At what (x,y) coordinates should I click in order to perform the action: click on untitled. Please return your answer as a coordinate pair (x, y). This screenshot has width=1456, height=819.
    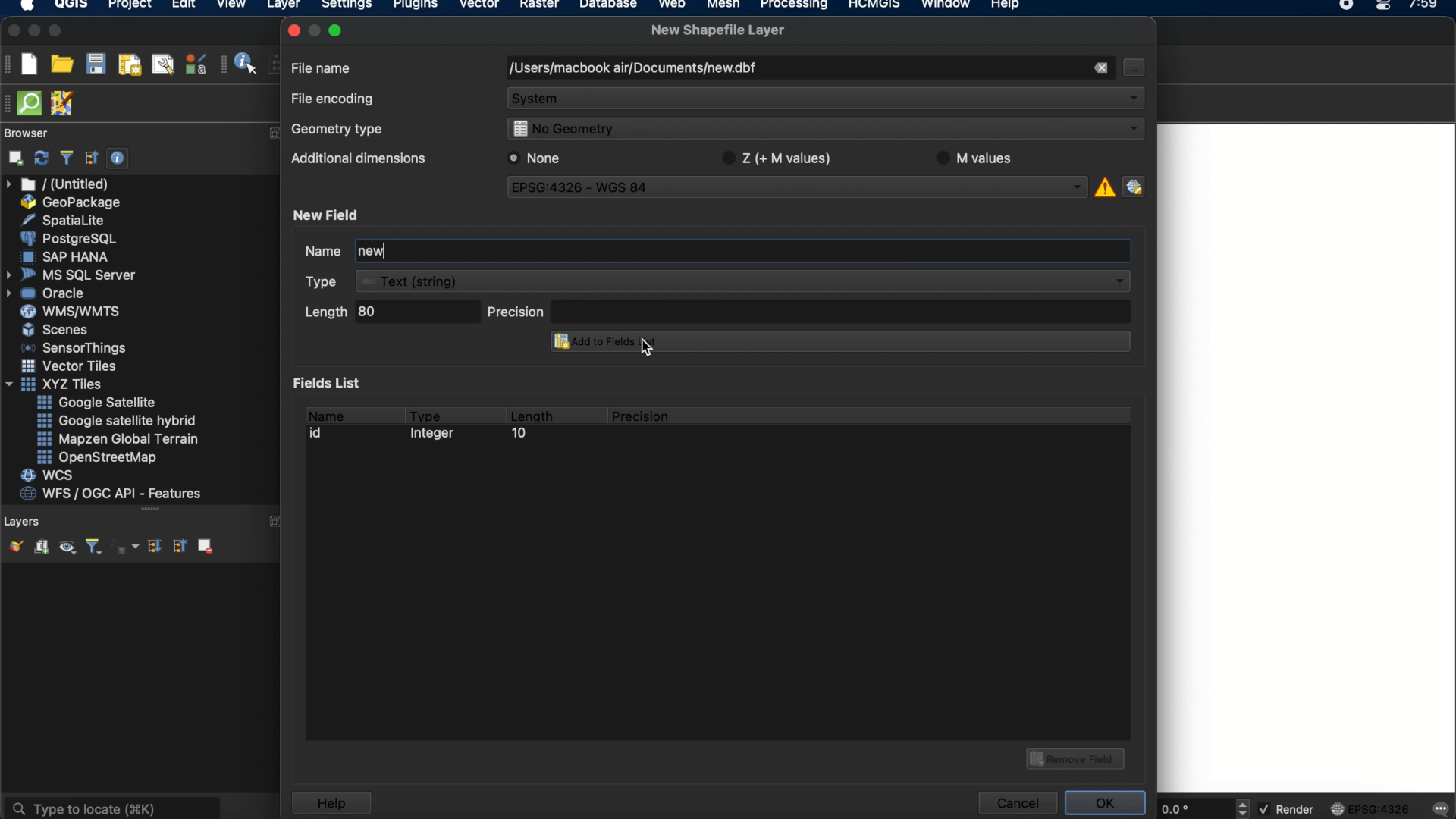
    Looking at the image, I should click on (59, 184).